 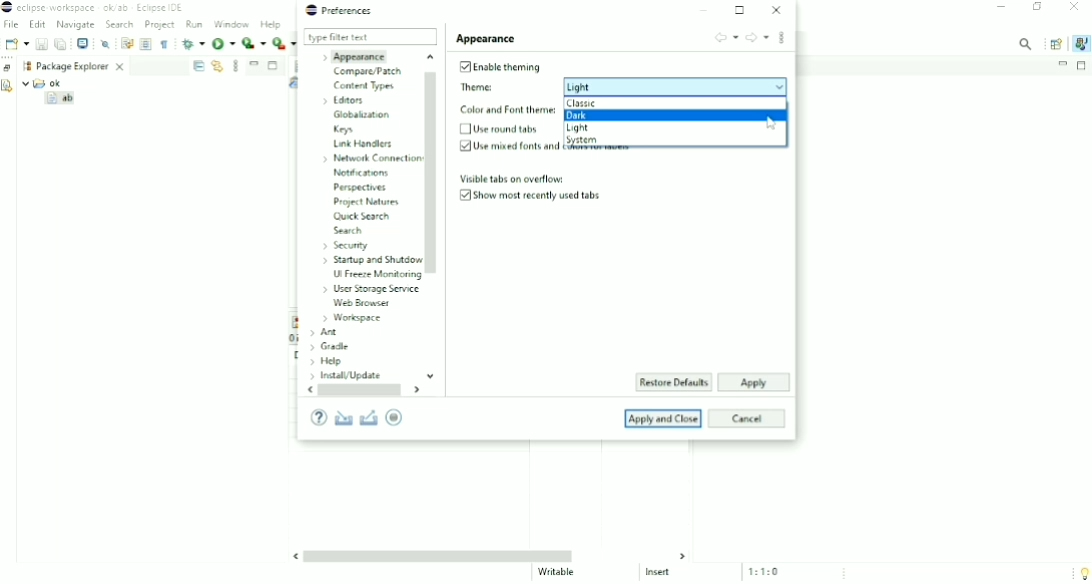 What do you see at coordinates (433, 215) in the screenshot?
I see `Vertical scrollbar` at bounding box center [433, 215].